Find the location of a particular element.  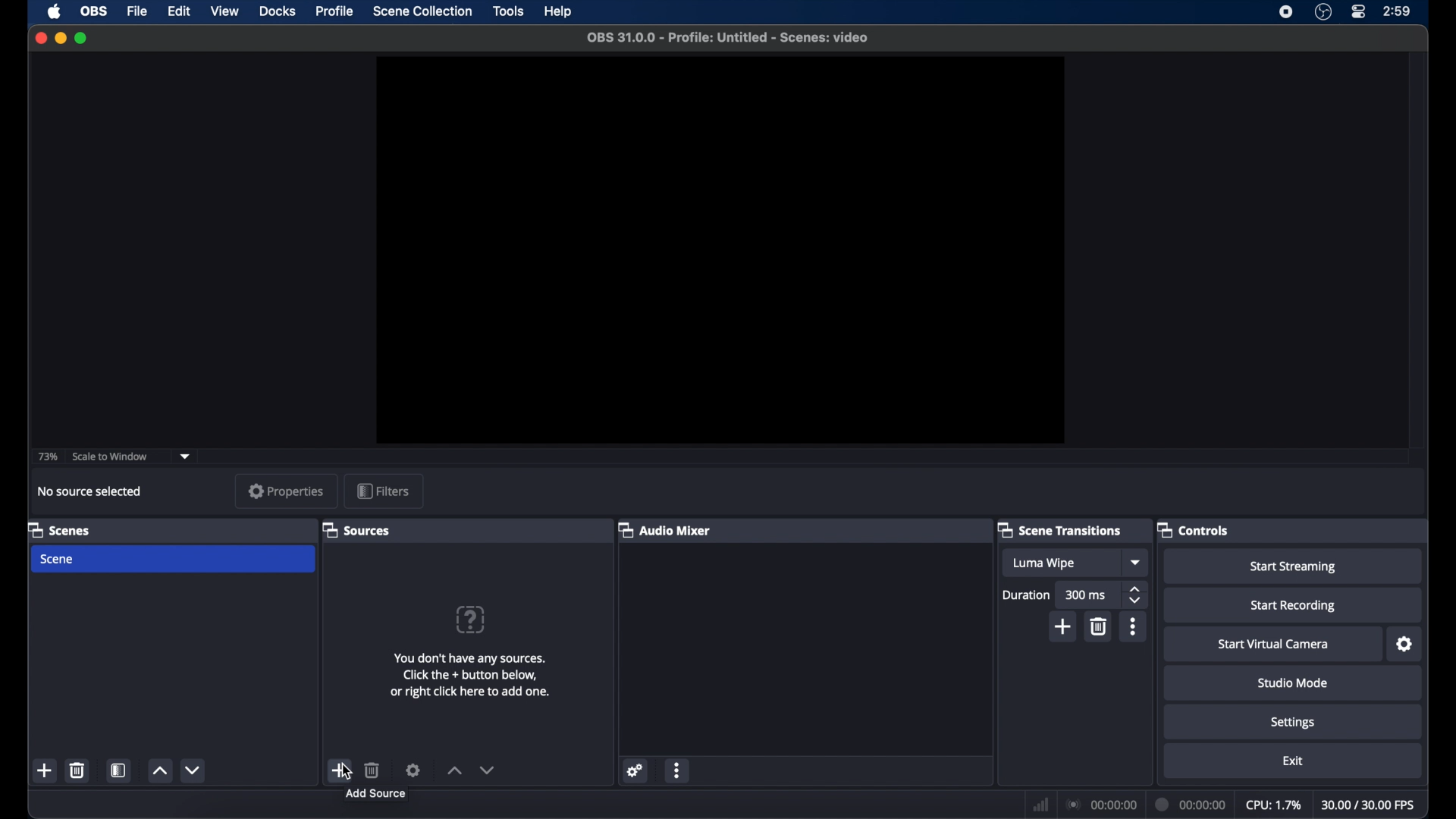

filters is located at coordinates (383, 491).